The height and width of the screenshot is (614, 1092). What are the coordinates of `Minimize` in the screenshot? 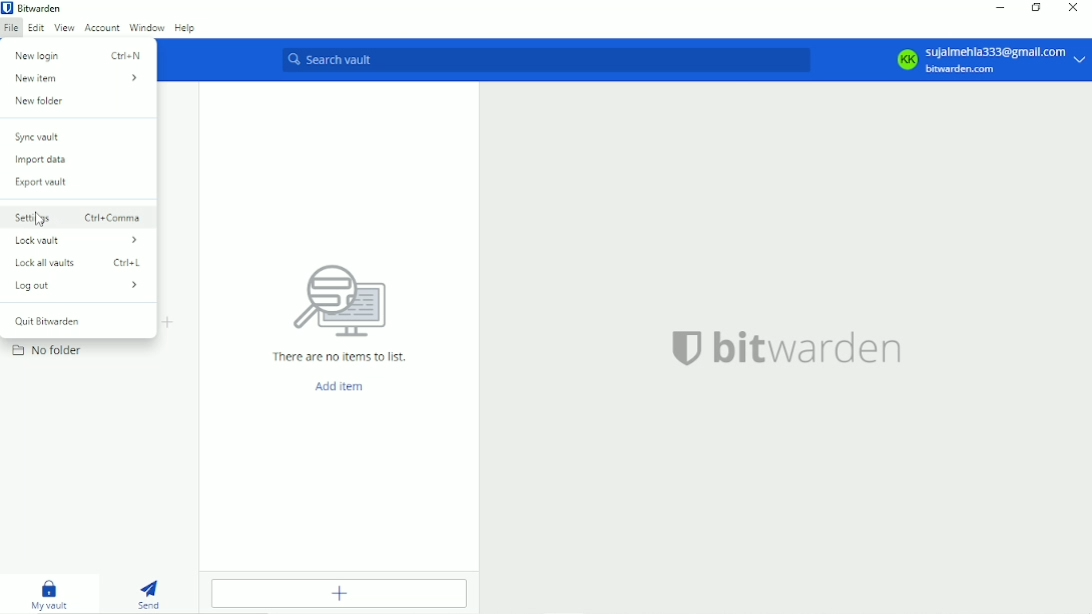 It's located at (999, 7).